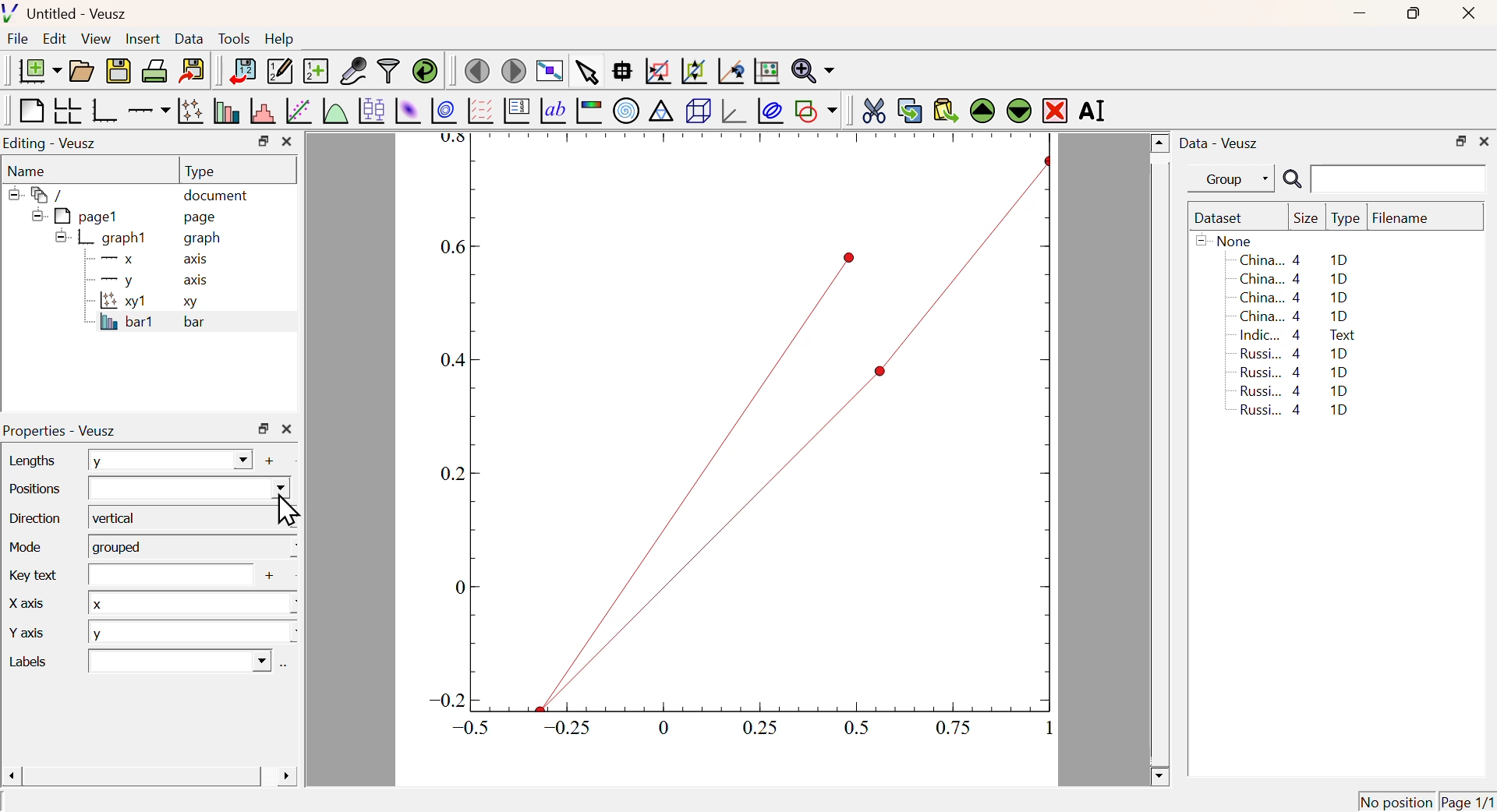 The height and width of the screenshot is (812, 1497). Describe the element at coordinates (190, 518) in the screenshot. I see `Vertical` at that location.